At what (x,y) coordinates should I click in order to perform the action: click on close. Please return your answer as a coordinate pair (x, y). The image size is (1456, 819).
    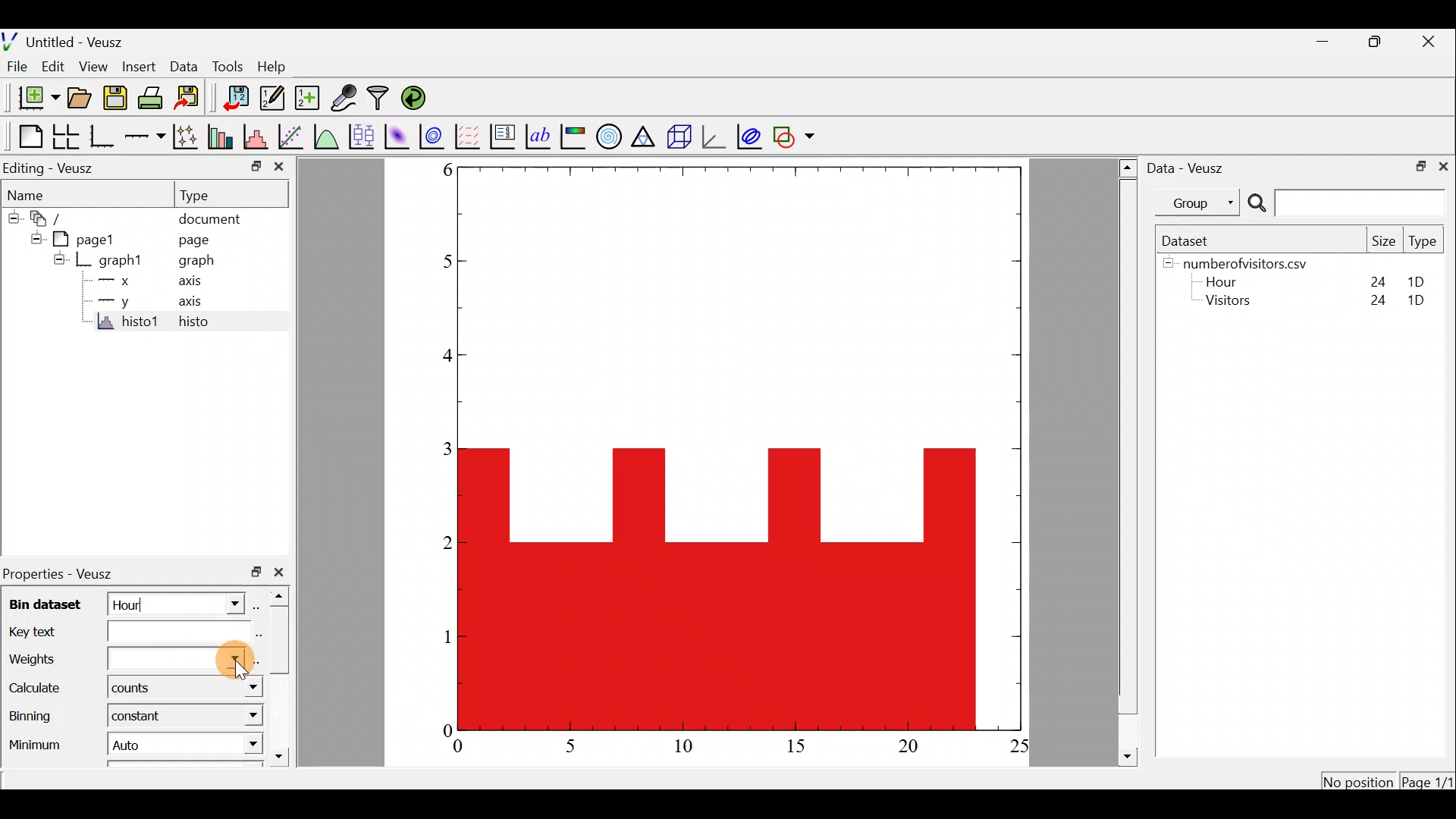
    Looking at the image, I should click on (1432, 44).